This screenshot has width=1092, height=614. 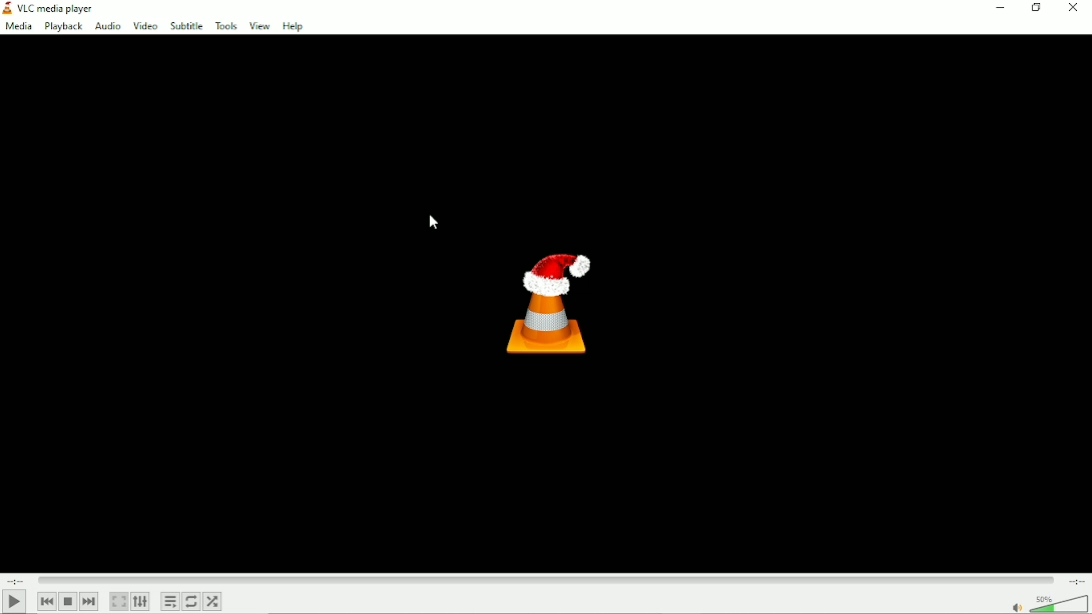 I want to click on Tools, so click(x=226, y=26).